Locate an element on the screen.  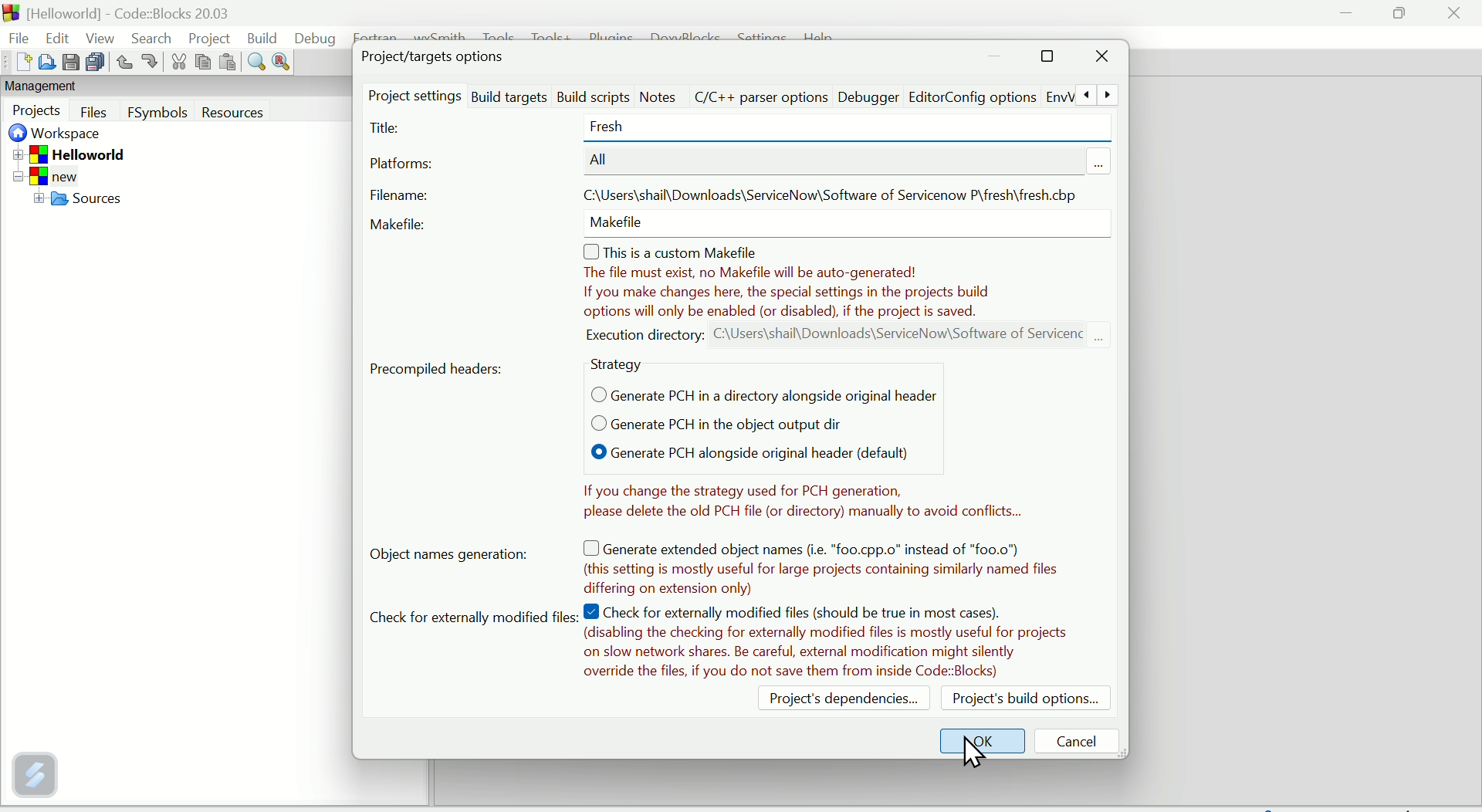
Generate PCH in the object output dir is located at coordinates (702, 424).